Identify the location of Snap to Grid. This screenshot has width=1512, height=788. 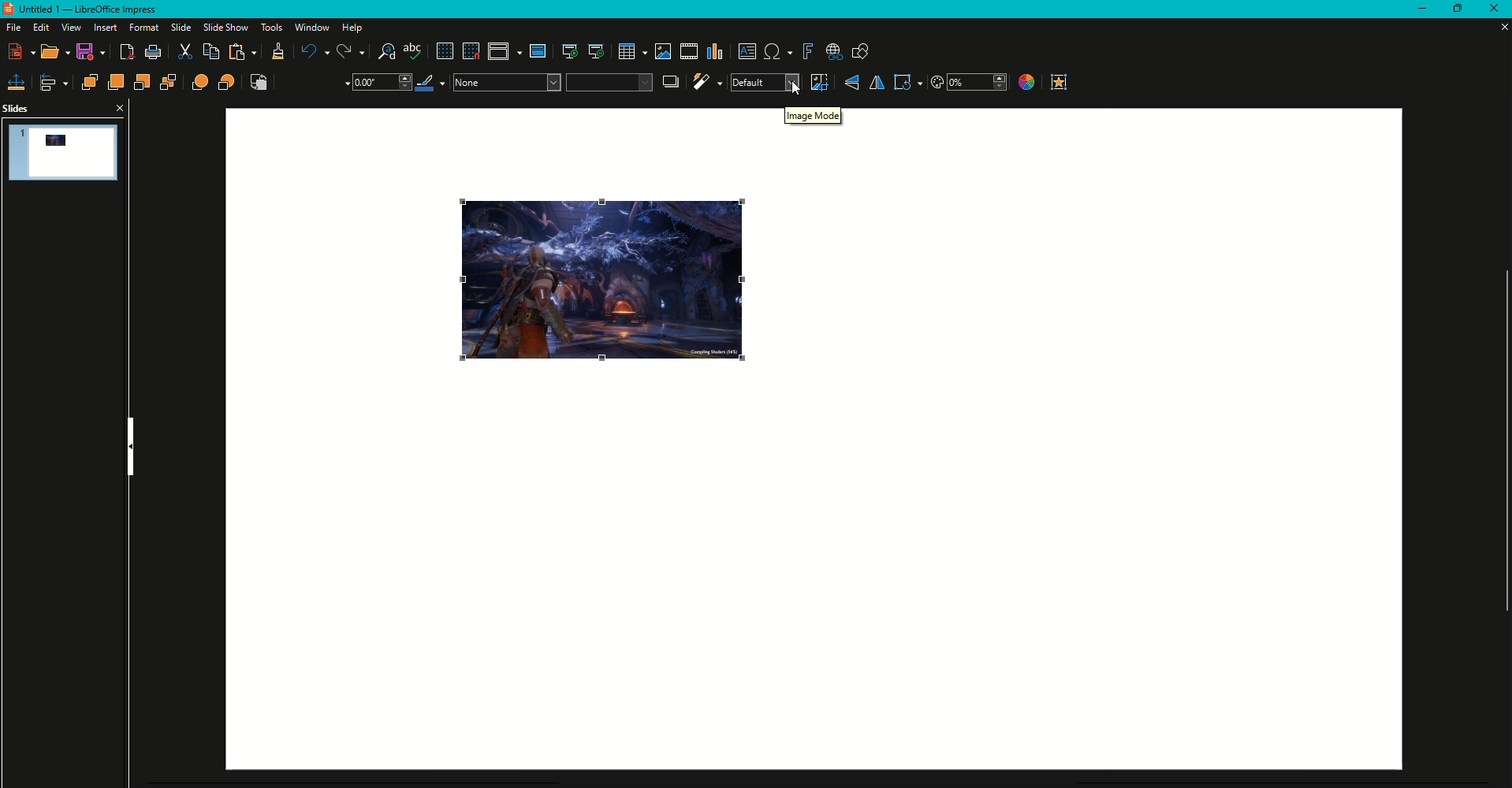
(471, 51).